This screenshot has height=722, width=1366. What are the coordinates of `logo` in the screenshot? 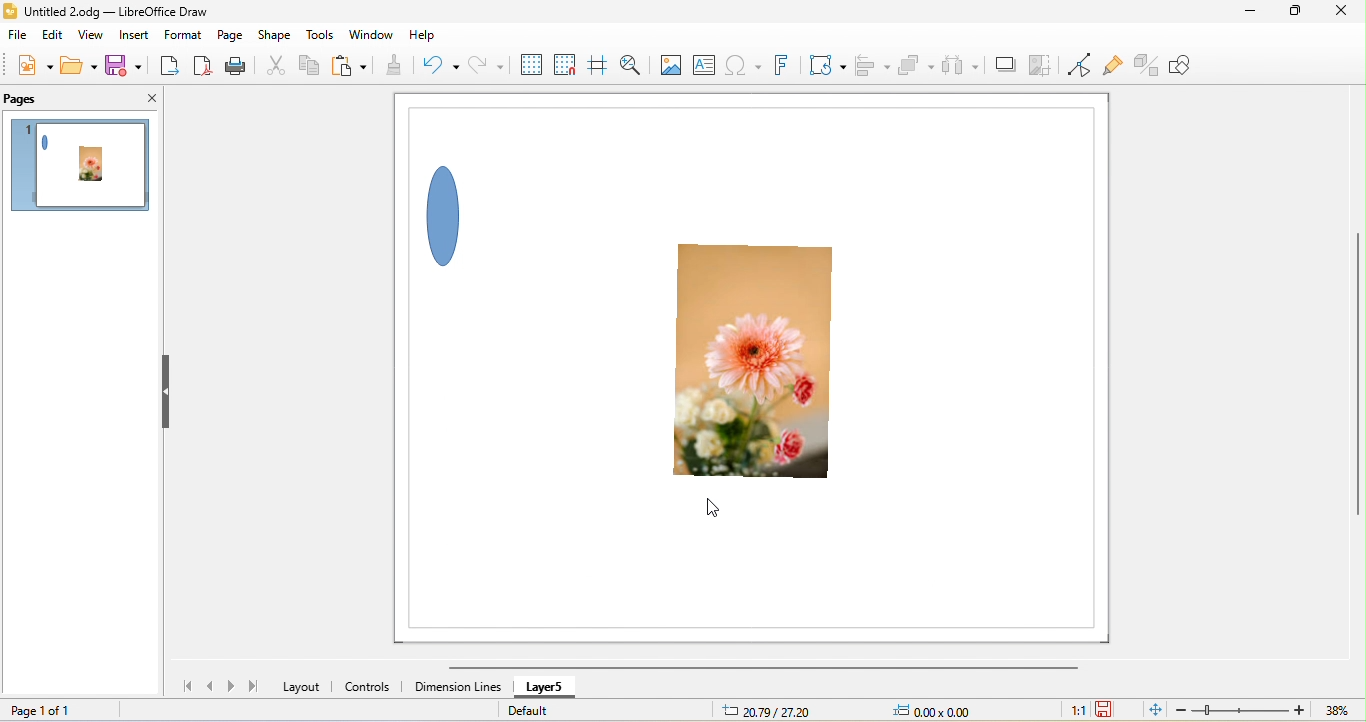 It's located at (11, 11).